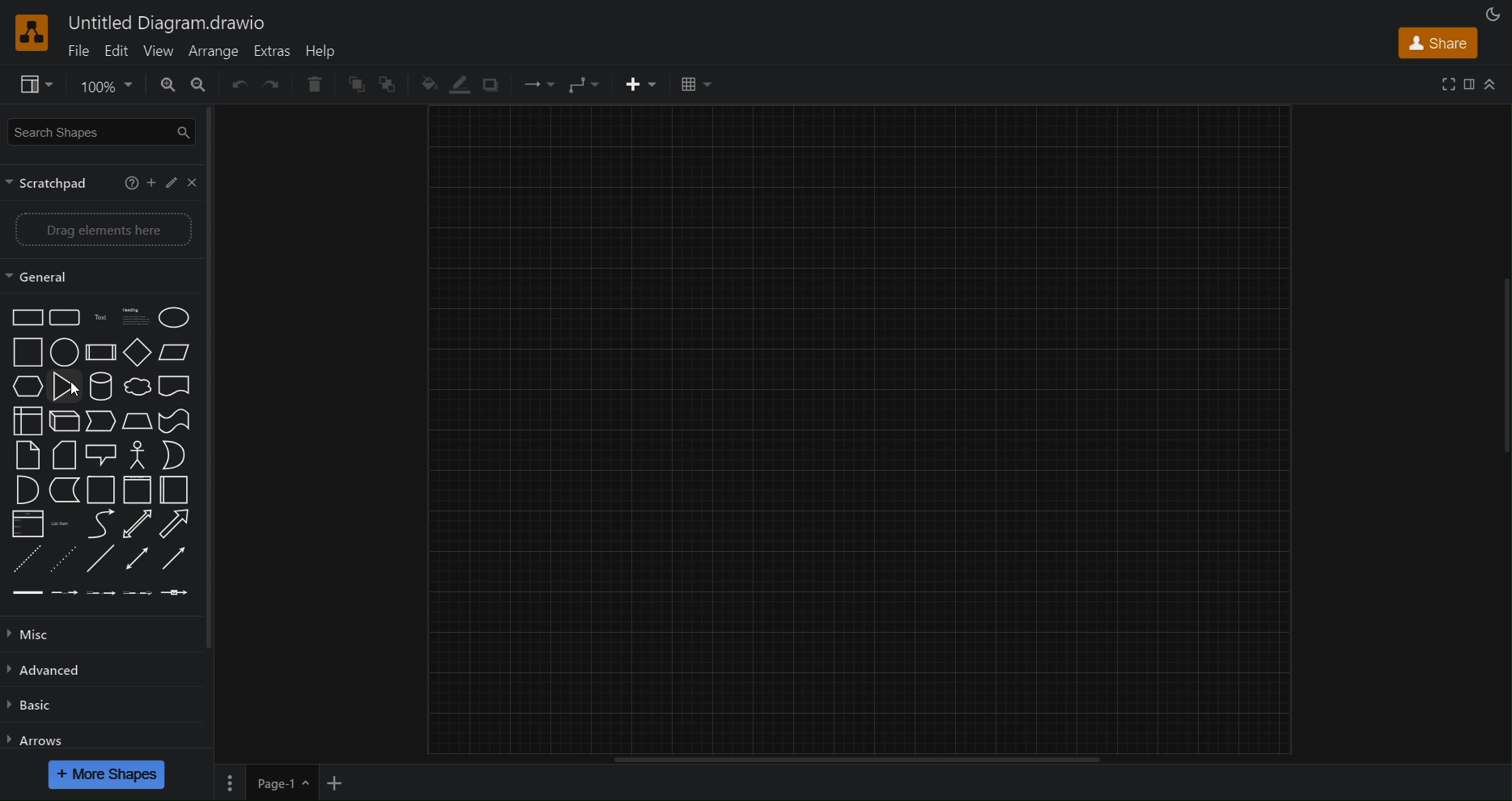  I want to click on Scrollbar, so click(855, 761).